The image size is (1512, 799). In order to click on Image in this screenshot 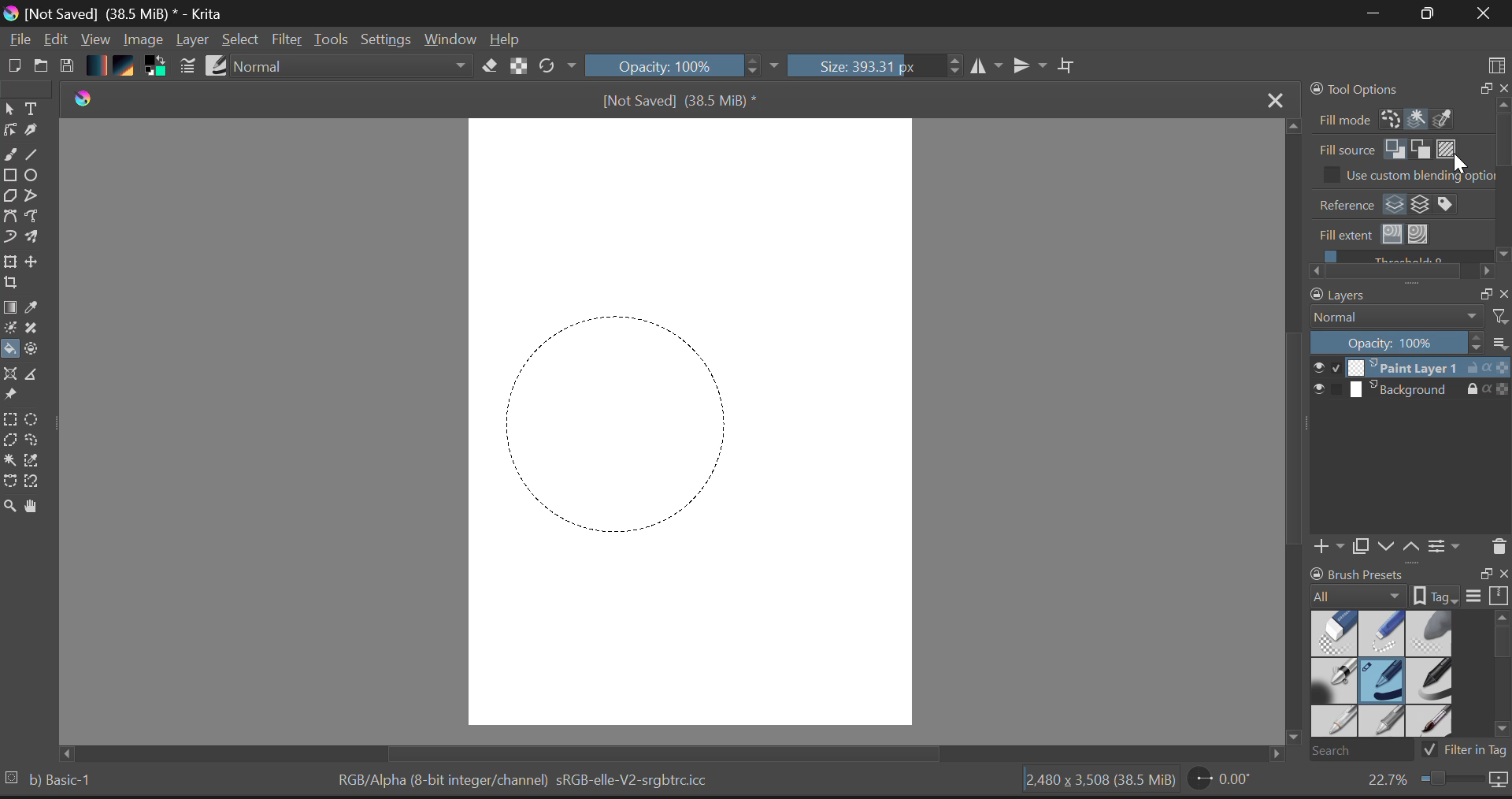, I will do `click(143, 39)`.